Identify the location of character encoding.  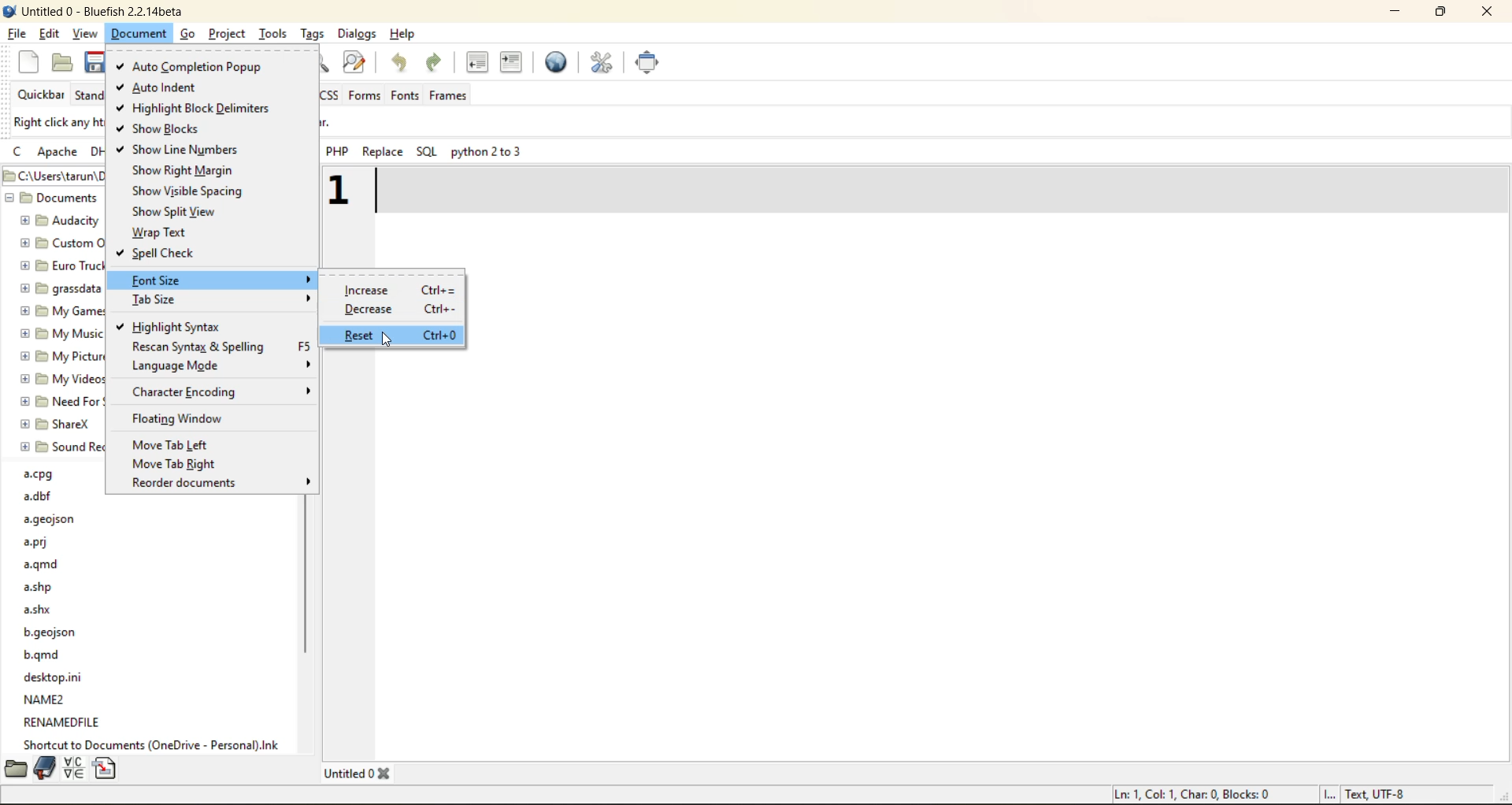
(187, 391).